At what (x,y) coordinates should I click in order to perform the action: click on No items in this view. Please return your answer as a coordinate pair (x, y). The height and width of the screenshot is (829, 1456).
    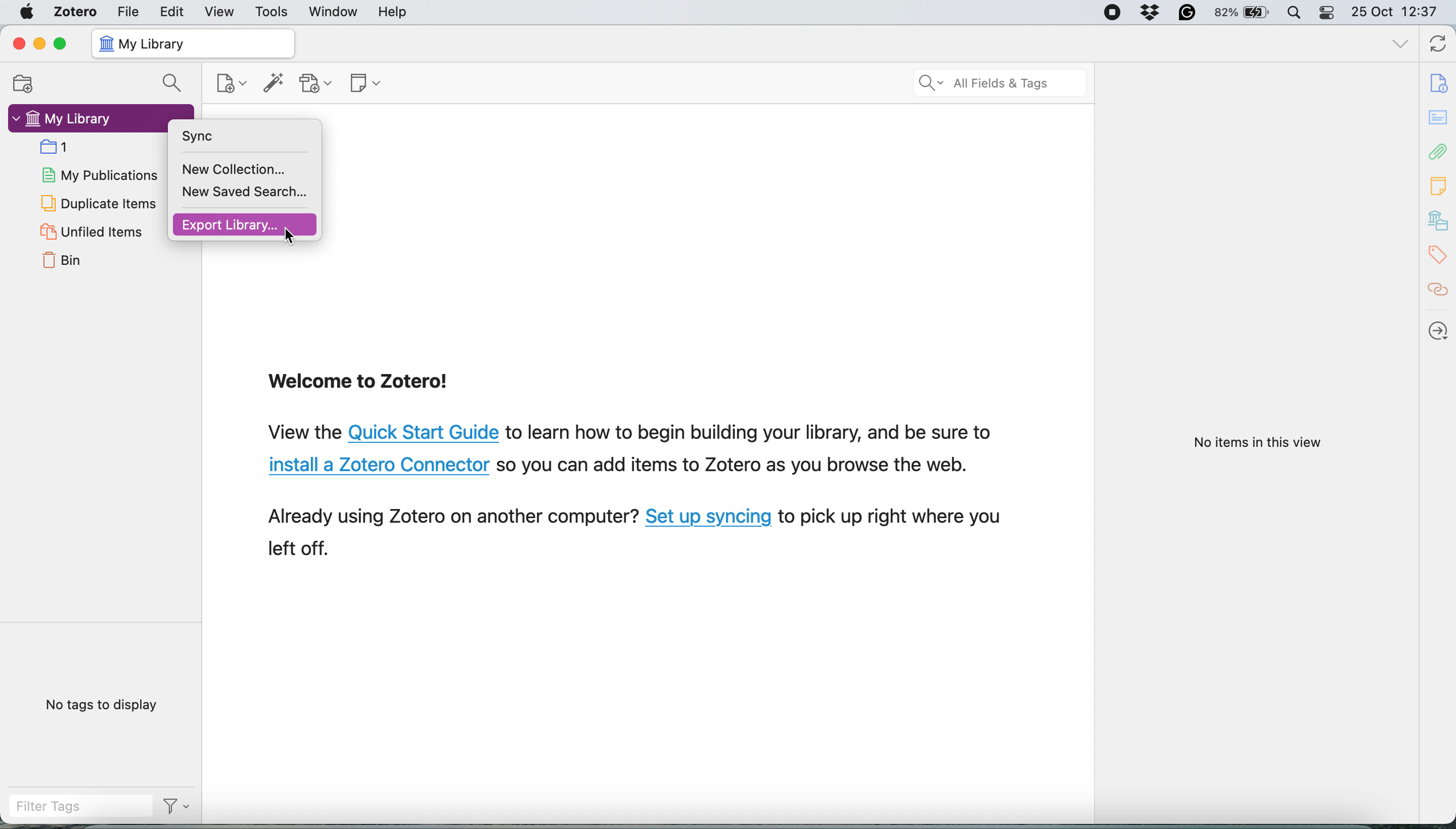
    Looking at the image, I should click on (1260, 443).